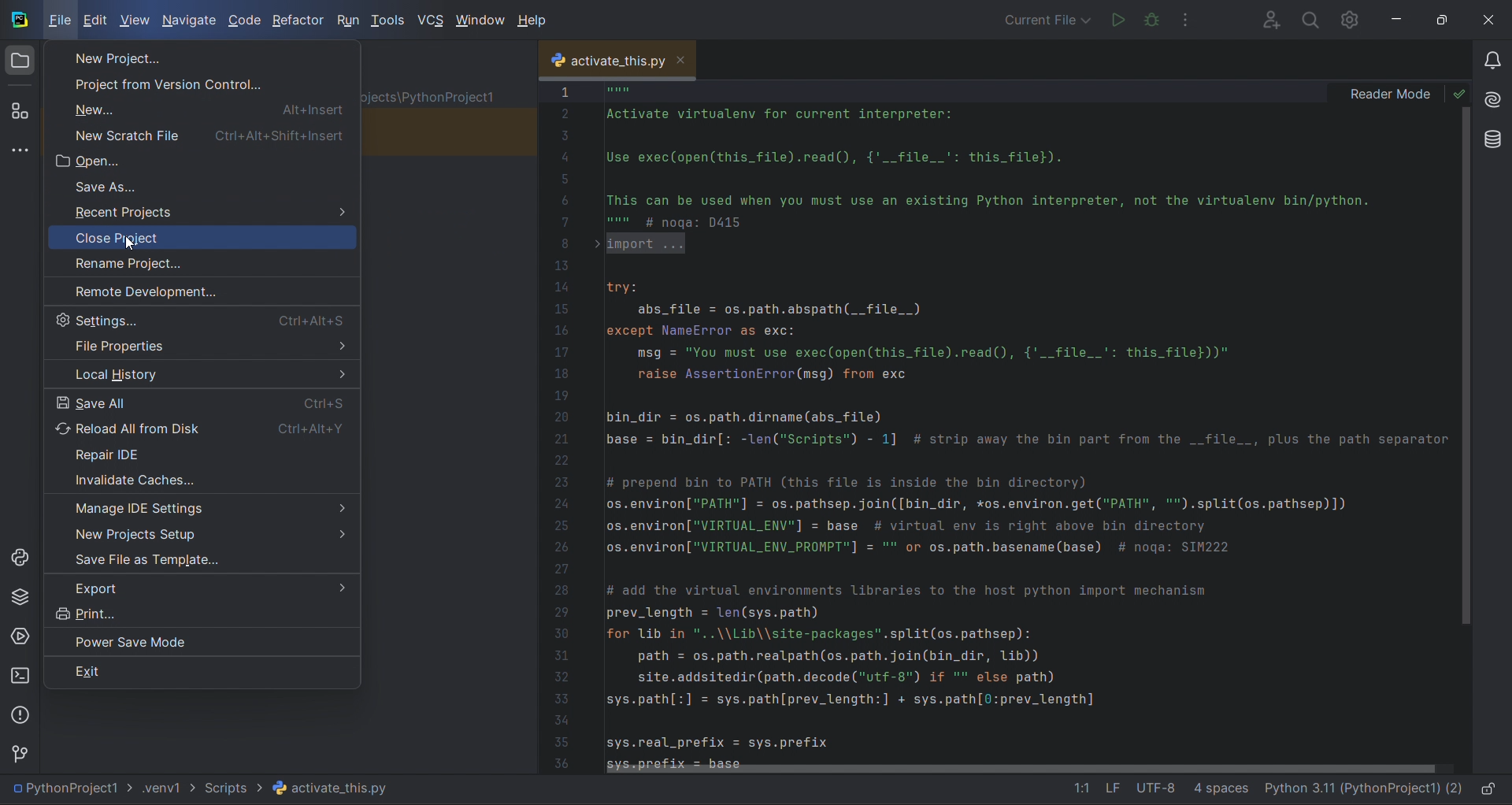  Describe the element at coordinates (17, 559) in the screenshot. I see `python console` at that location.